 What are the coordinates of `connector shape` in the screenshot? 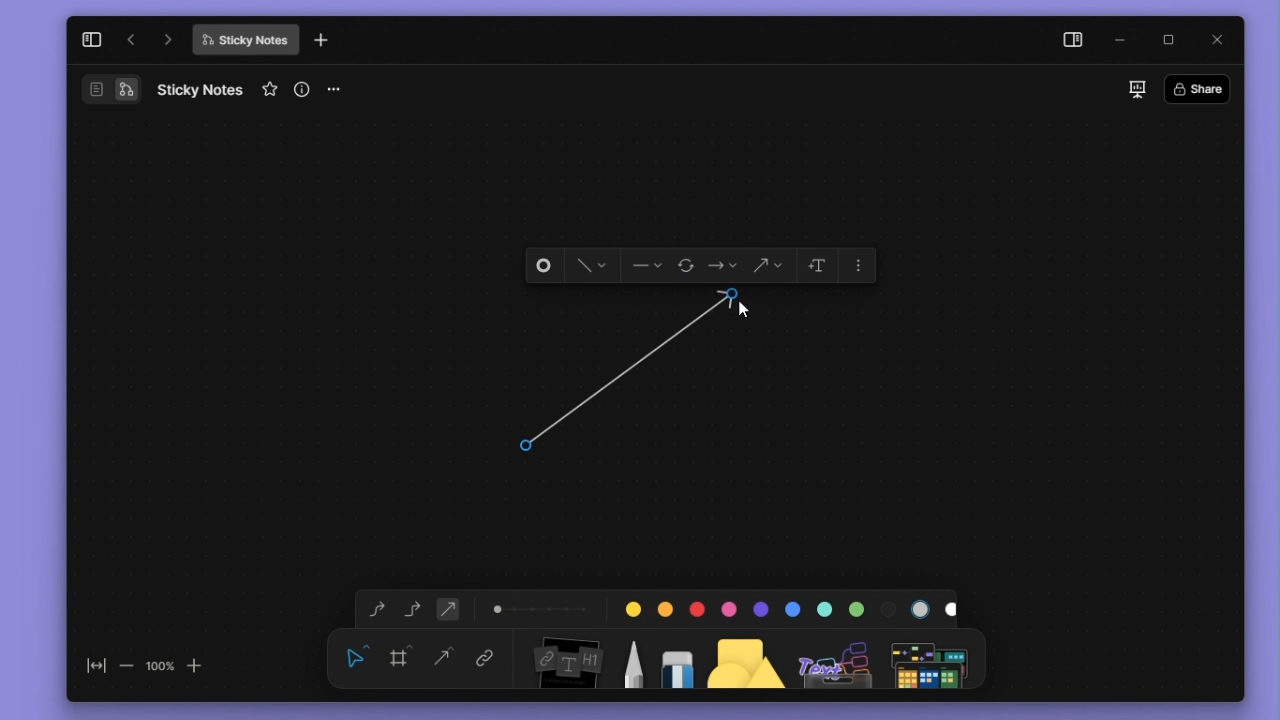 It's located at (767, 266).